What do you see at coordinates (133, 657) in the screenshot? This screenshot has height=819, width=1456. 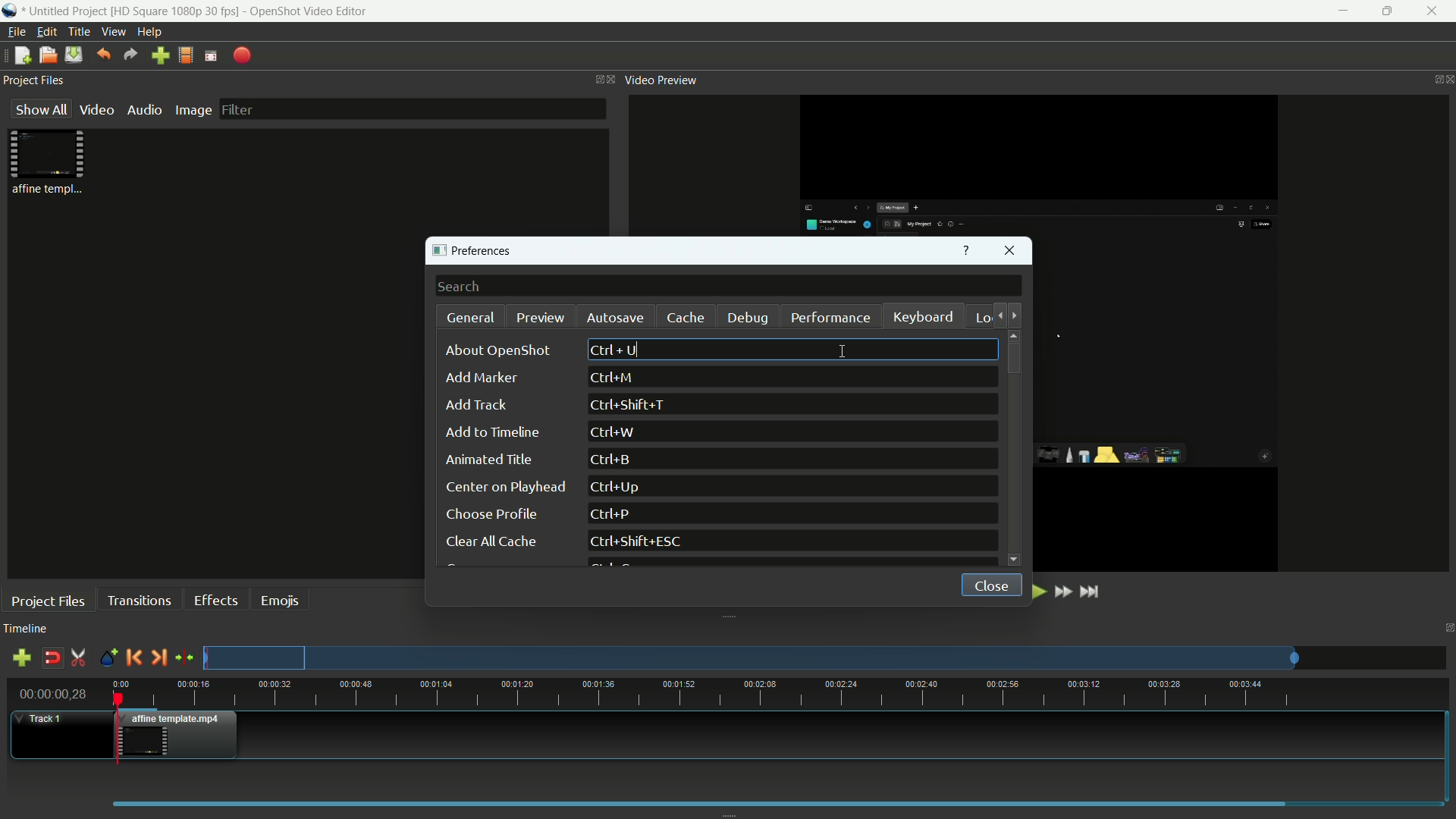 I see `previous marker` at bounding box center [133, 657].